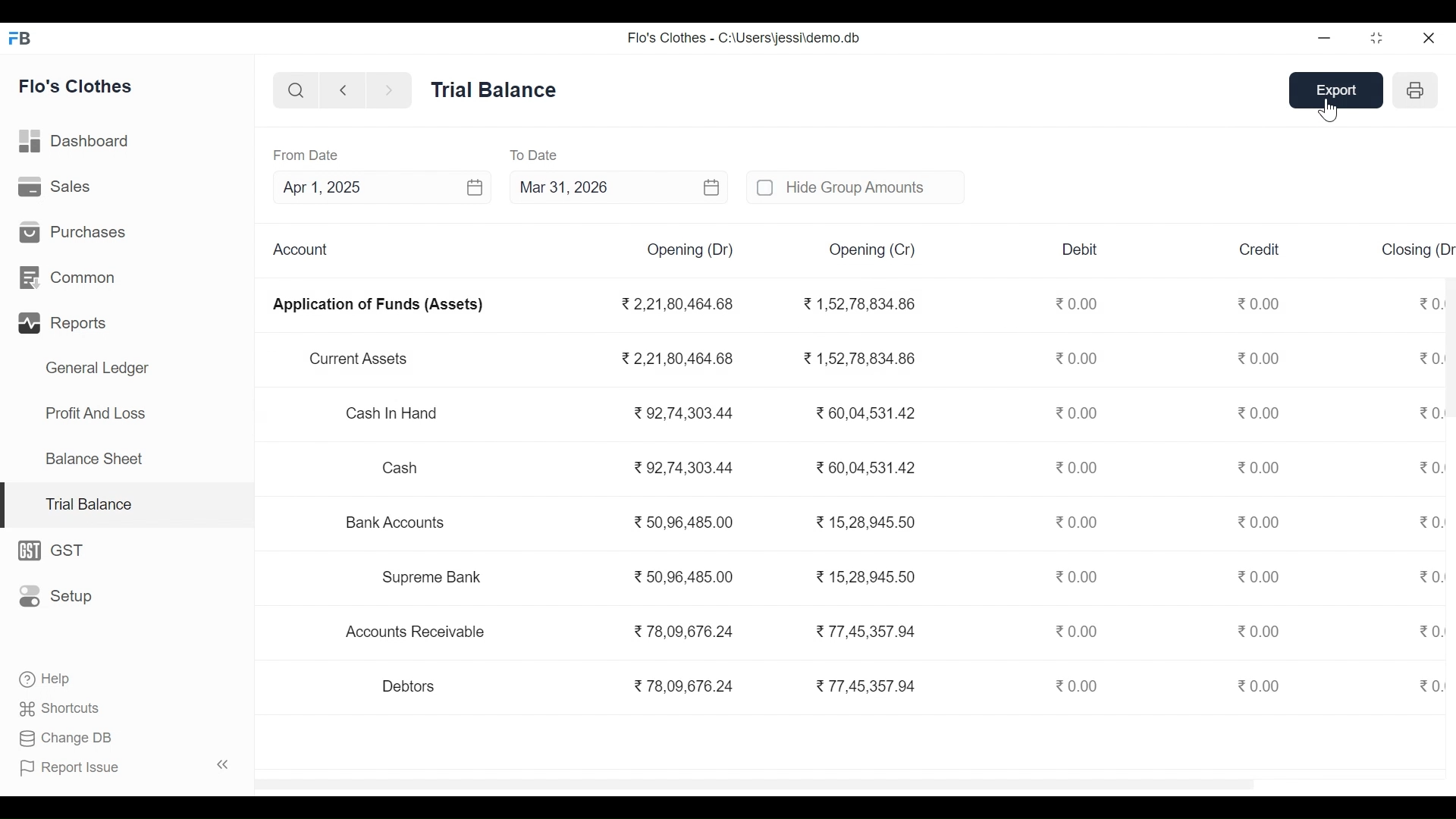 This screenshot has width=1456, height=819. Describe the element at coordinates (128, 506) in the screenshot. I see `Trial Balance` at that location.